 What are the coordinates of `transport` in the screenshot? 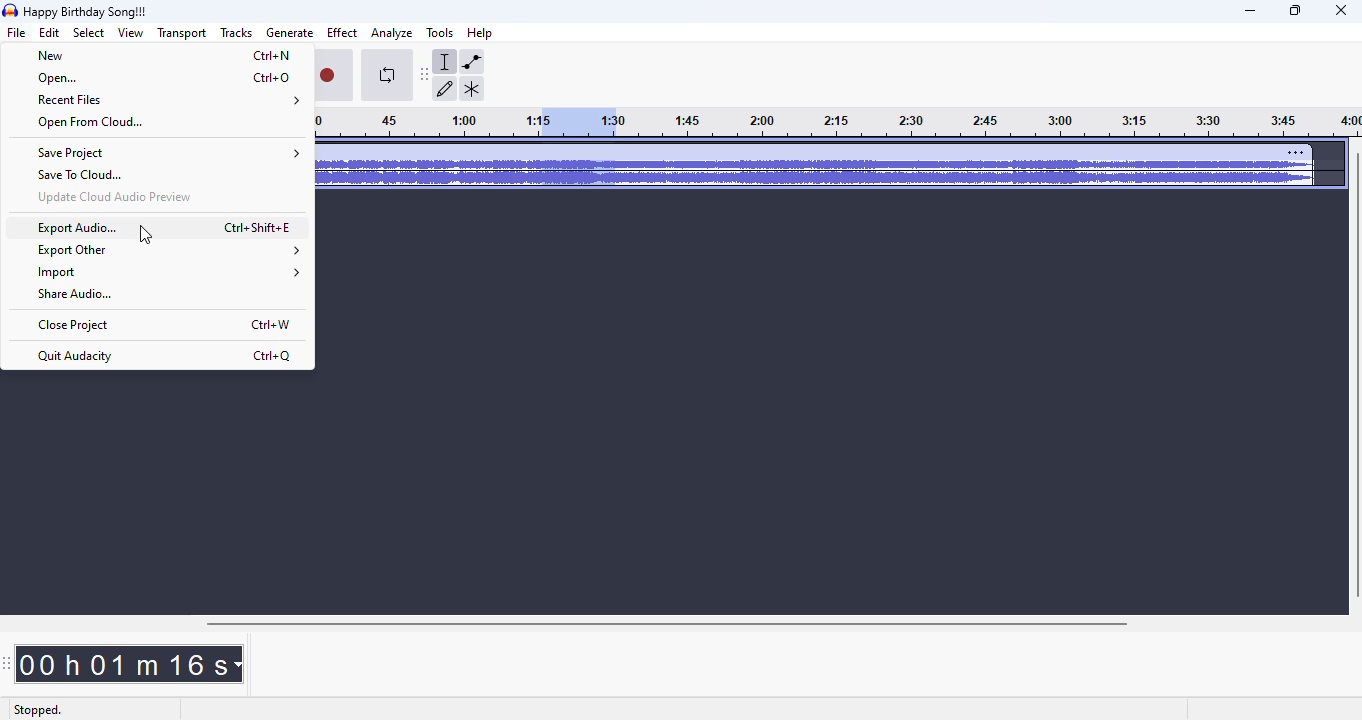 It's located at (180, 33).